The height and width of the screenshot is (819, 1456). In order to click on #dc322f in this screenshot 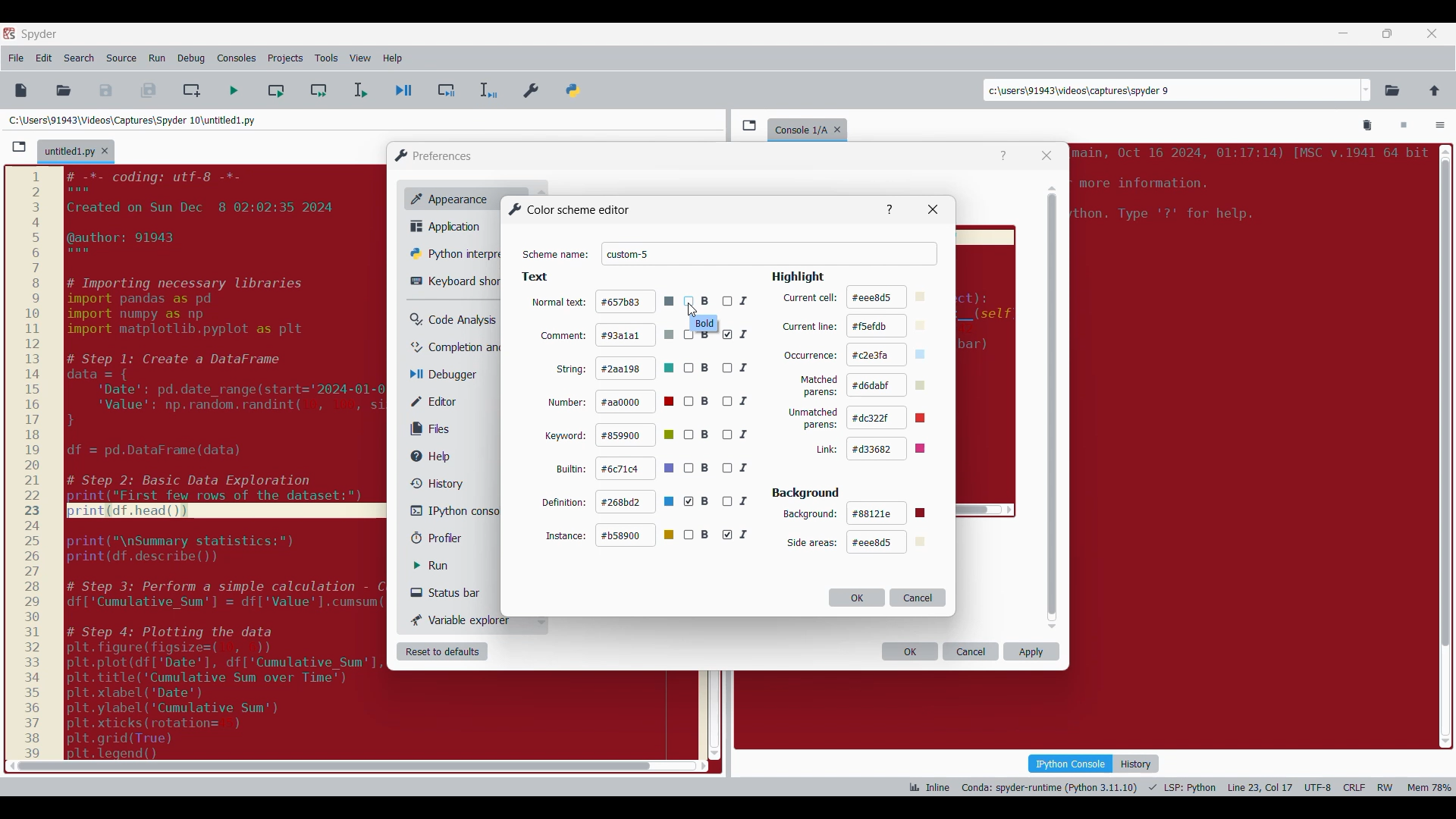, I will do `click(893, 417)`.